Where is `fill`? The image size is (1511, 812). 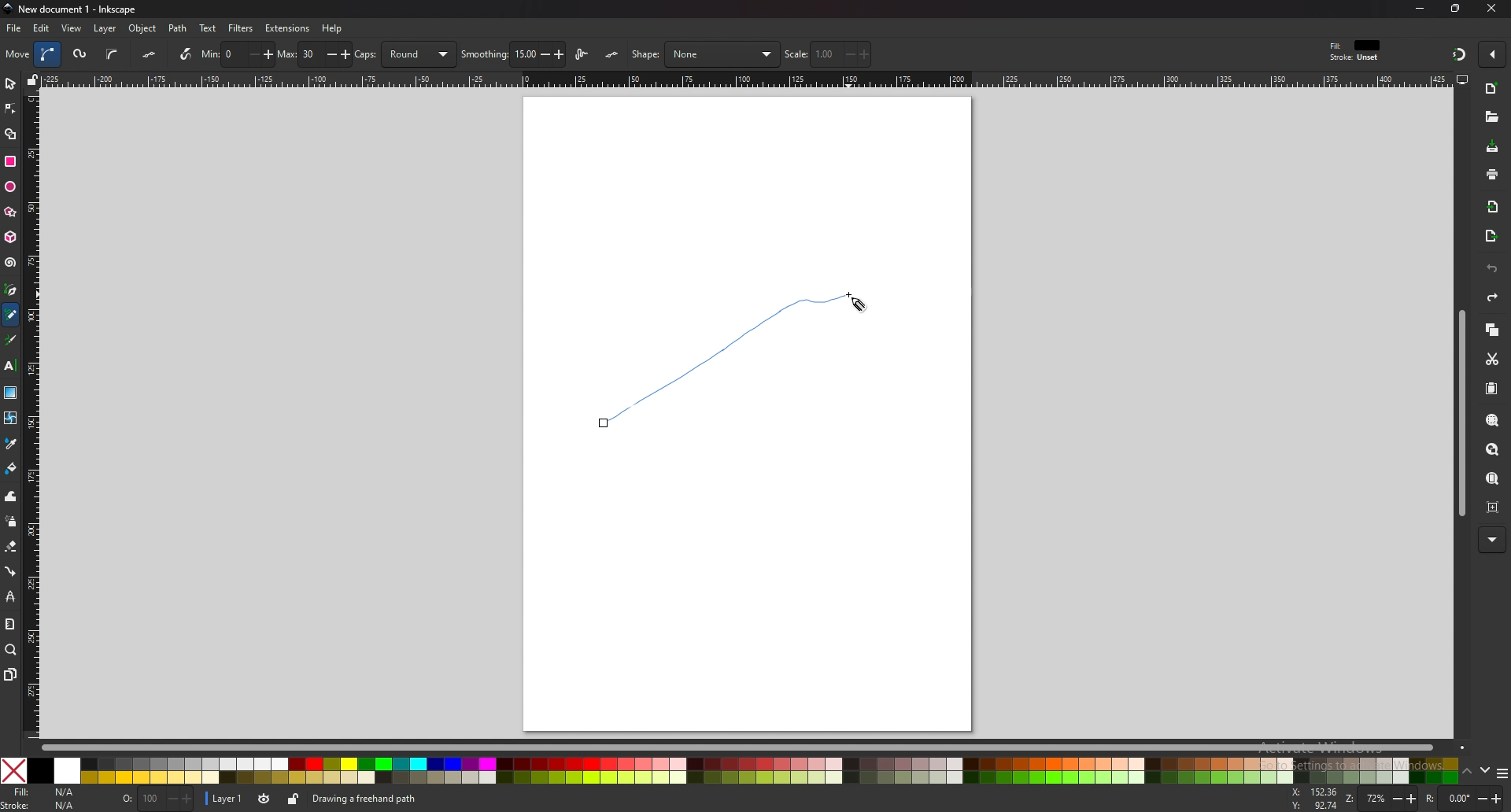 fill is located at coordinates (43, 792).